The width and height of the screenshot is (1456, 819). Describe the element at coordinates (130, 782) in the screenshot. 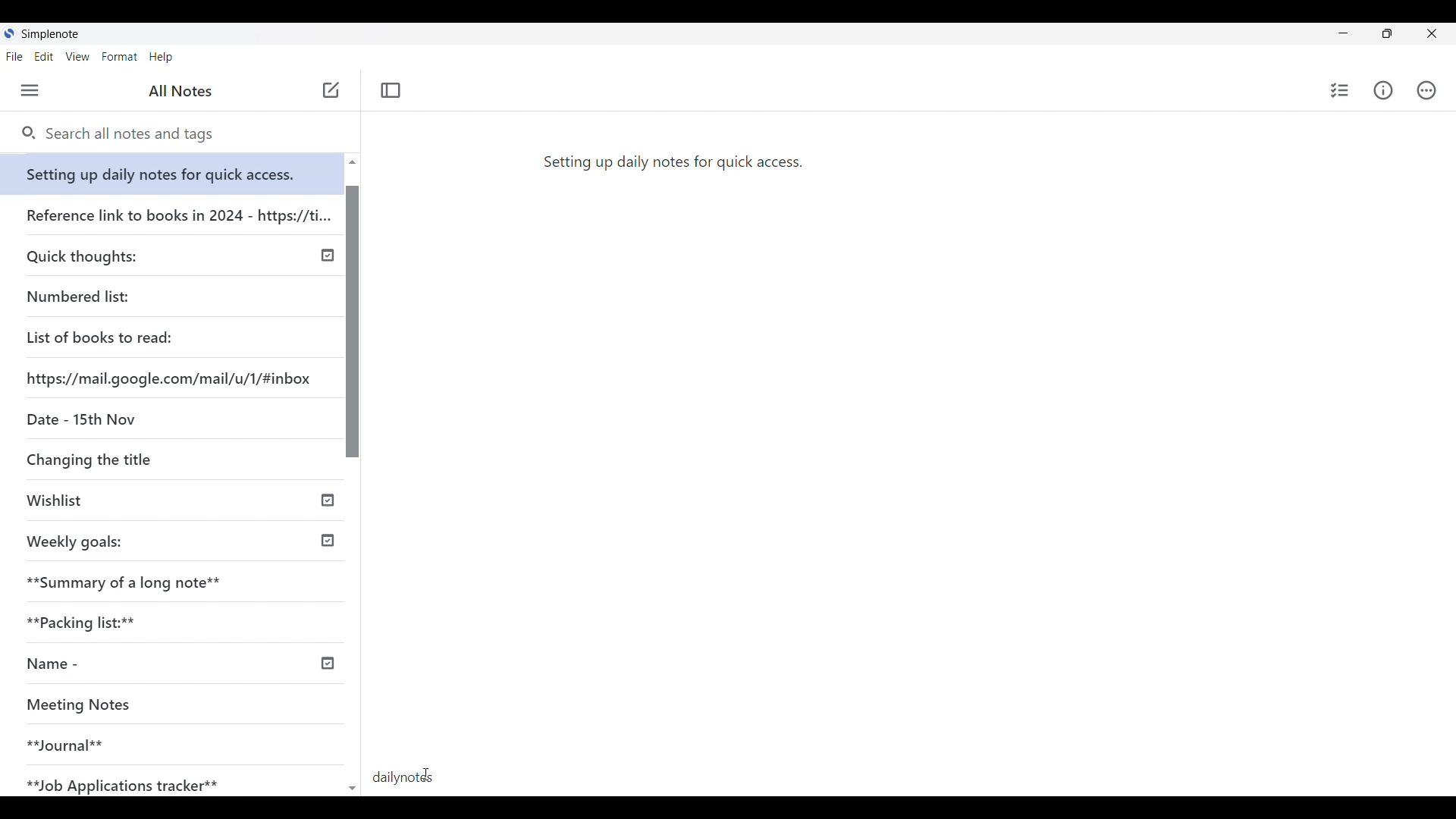

I see `Job Application tracker` at that location.